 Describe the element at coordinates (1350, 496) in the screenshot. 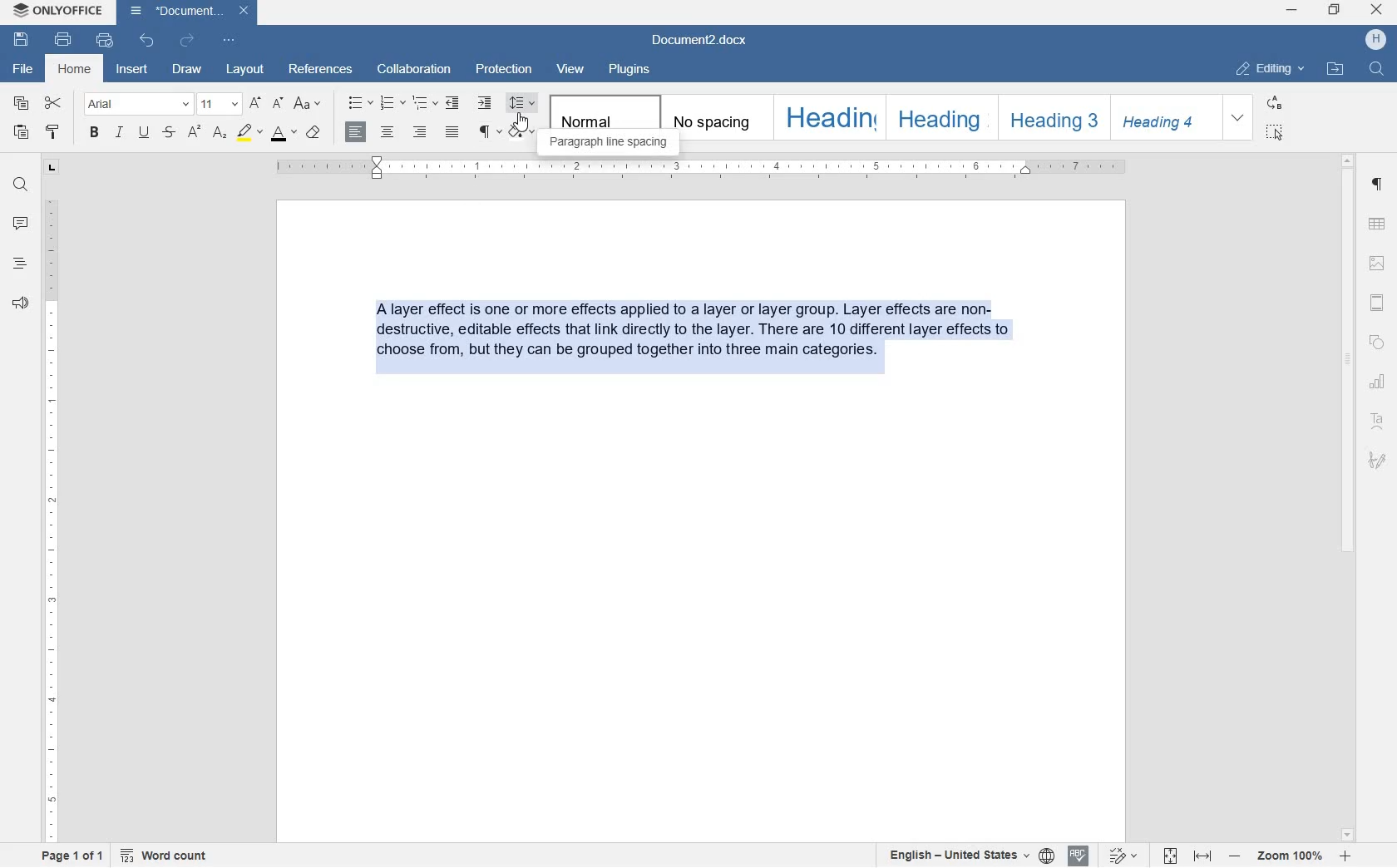

I see `scrollbar` at that location.